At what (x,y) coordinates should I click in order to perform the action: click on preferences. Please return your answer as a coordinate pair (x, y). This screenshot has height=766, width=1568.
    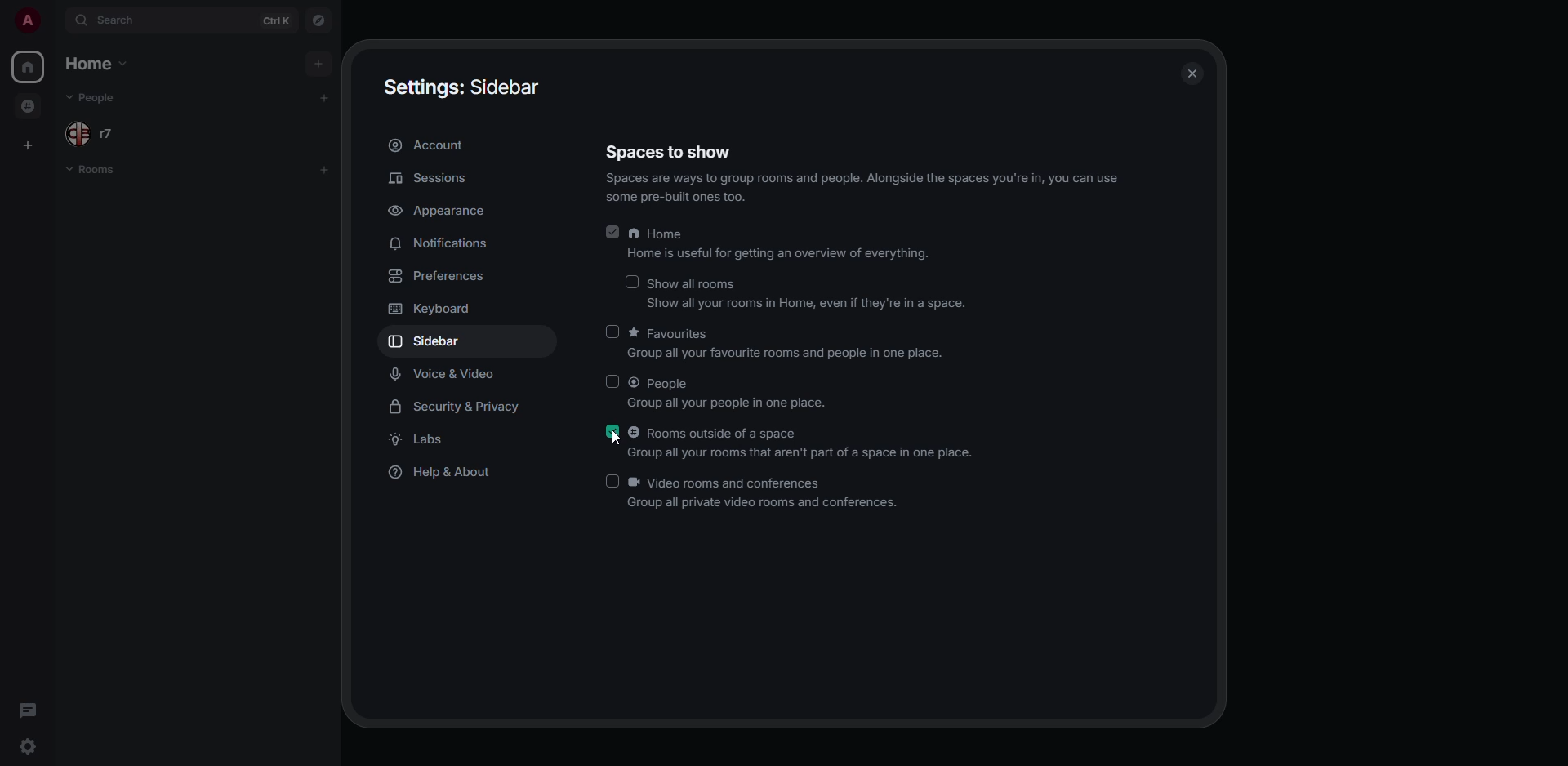
    Looking at the image, I should click on (439, 275).